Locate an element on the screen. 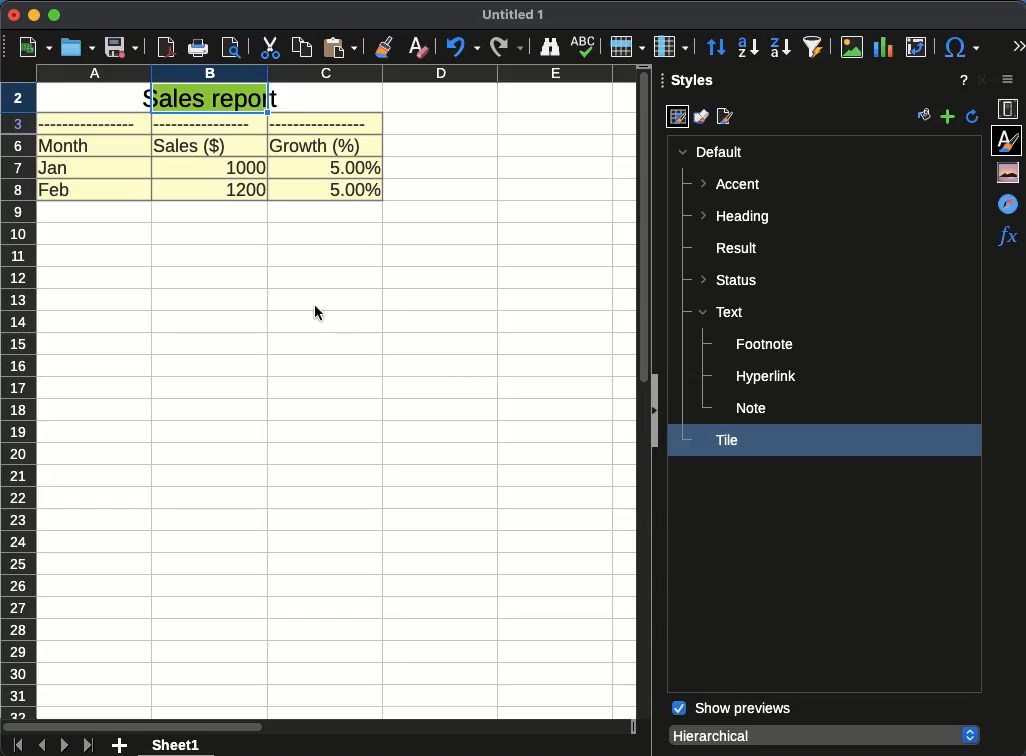 The width and height of the screenshot is (1026, 756). blank is located at coordinates (206, 124).